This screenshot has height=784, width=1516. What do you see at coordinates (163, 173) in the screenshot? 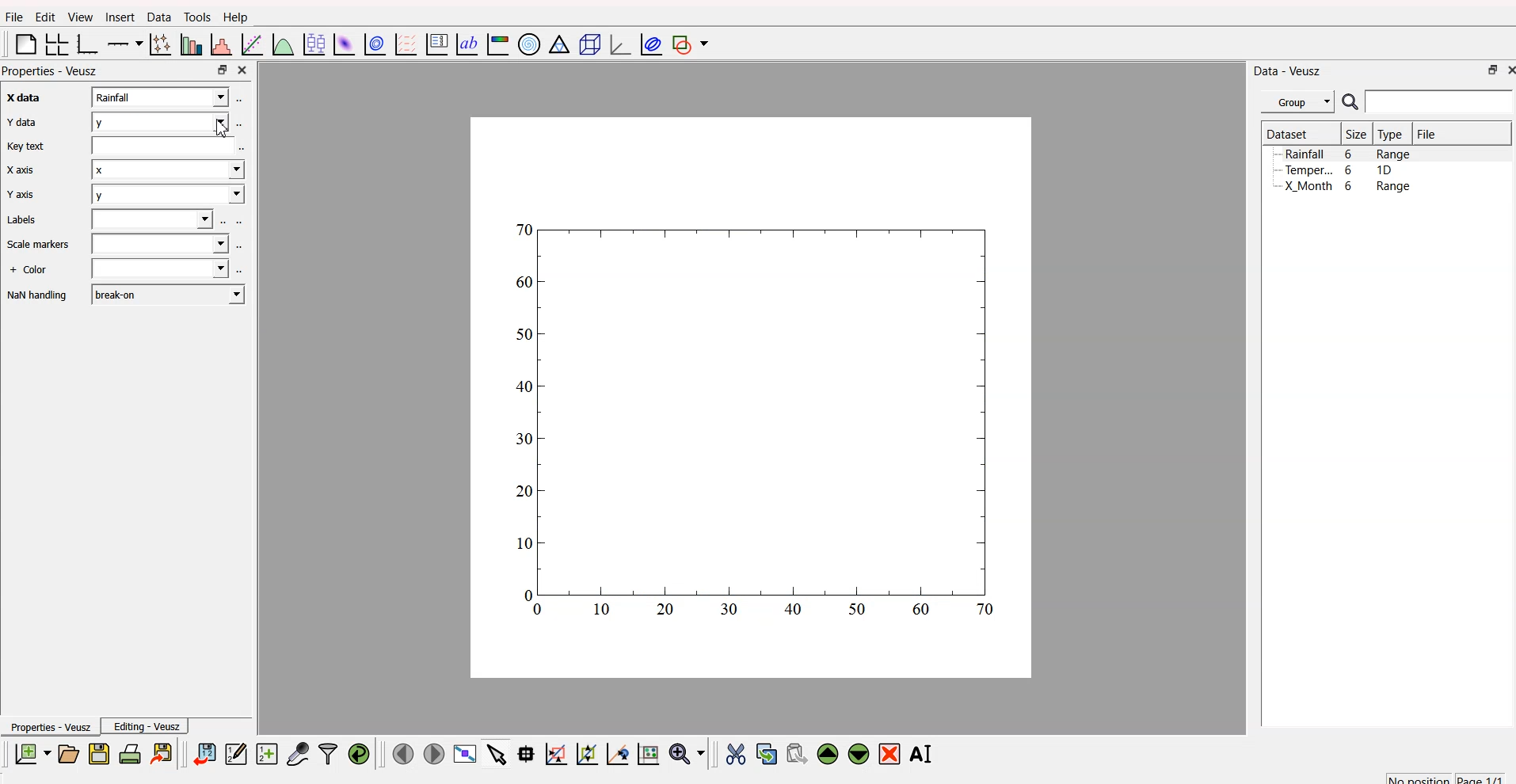
I see `x` at bounding box center [163, 173].